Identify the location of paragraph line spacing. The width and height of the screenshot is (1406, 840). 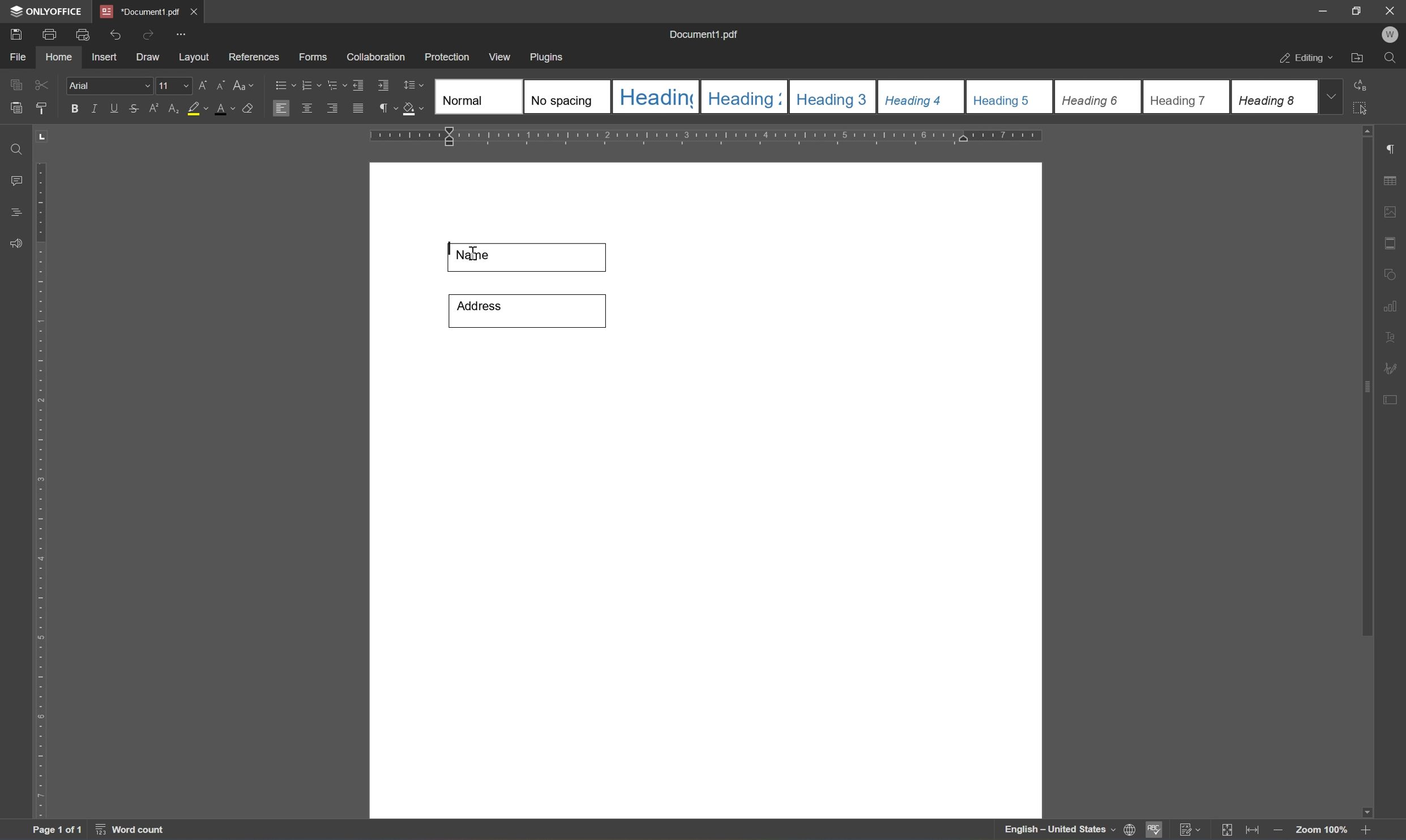
(416, 85).